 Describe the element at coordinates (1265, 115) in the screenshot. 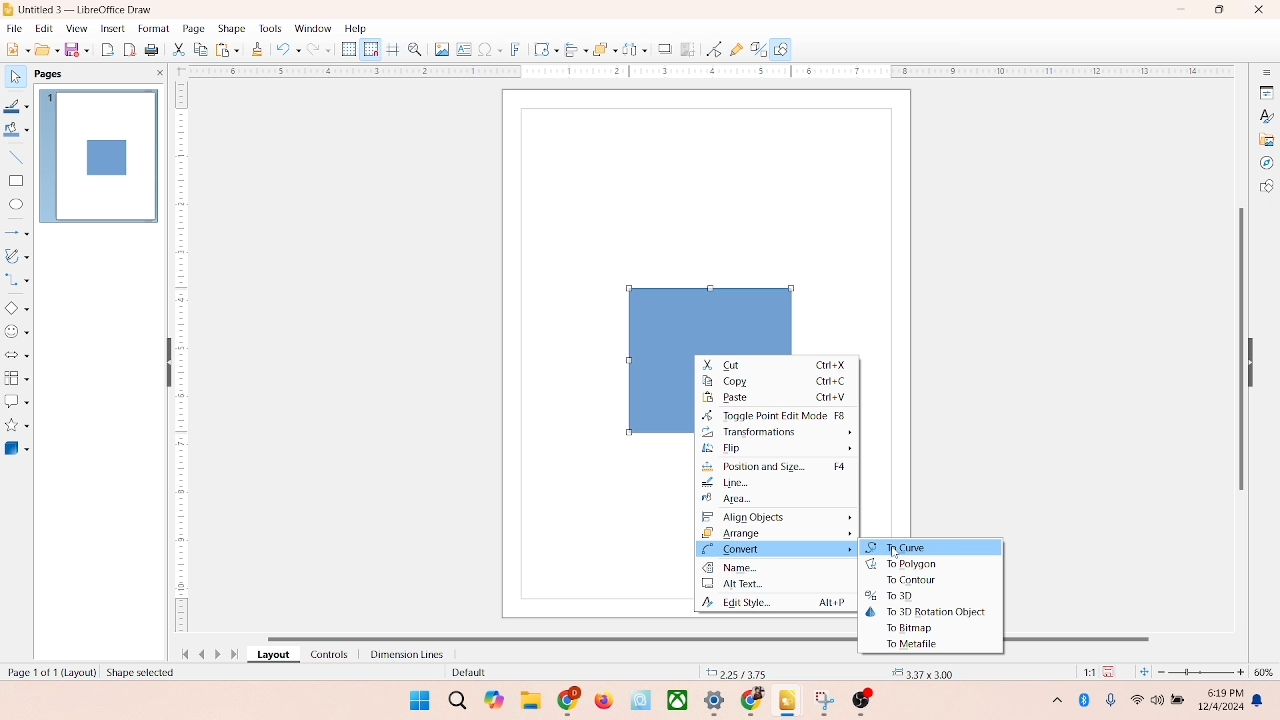

I see `styles` at that location.